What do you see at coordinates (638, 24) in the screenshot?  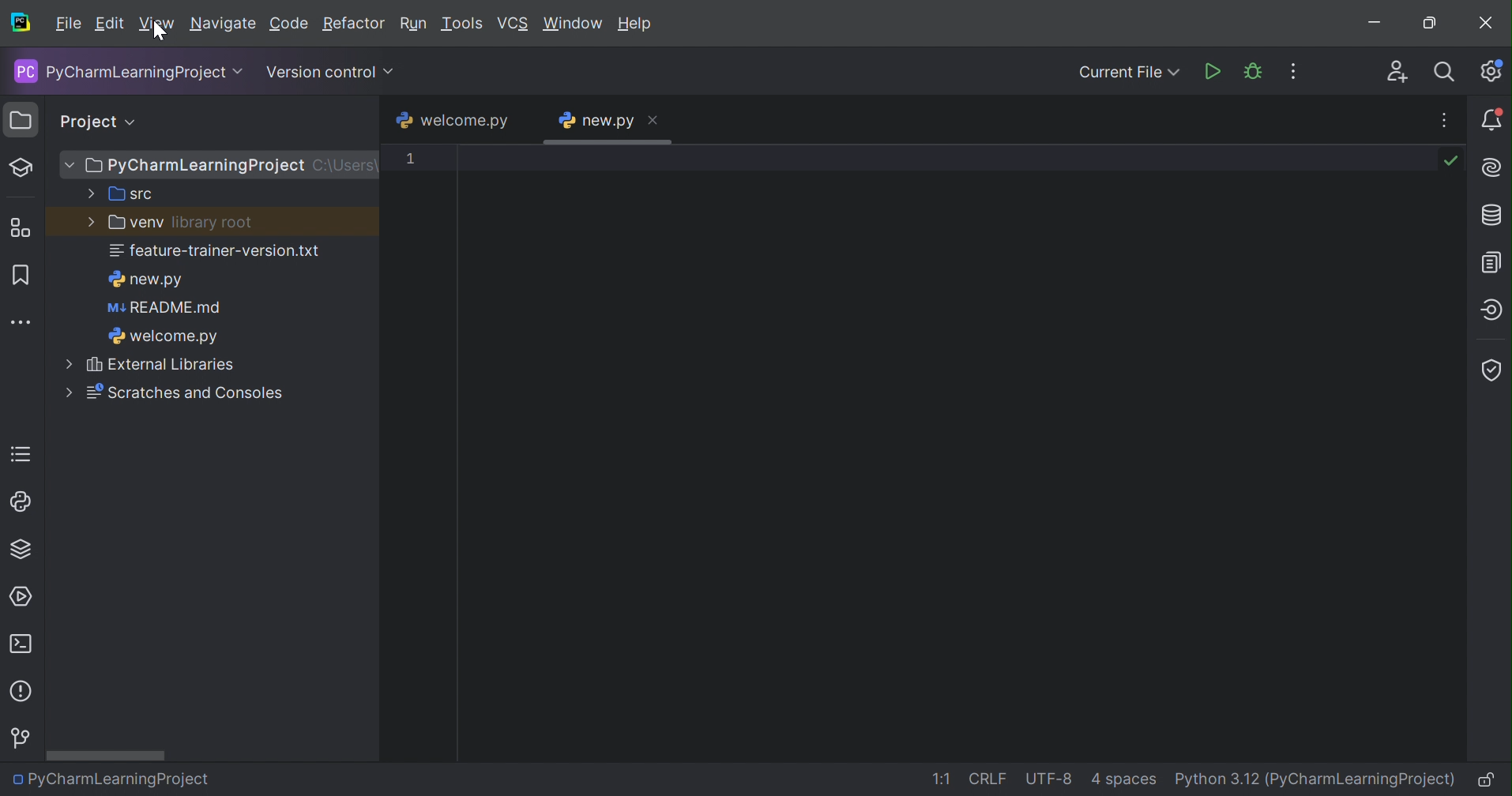 I see `Help` at bounding box center [638, 24].